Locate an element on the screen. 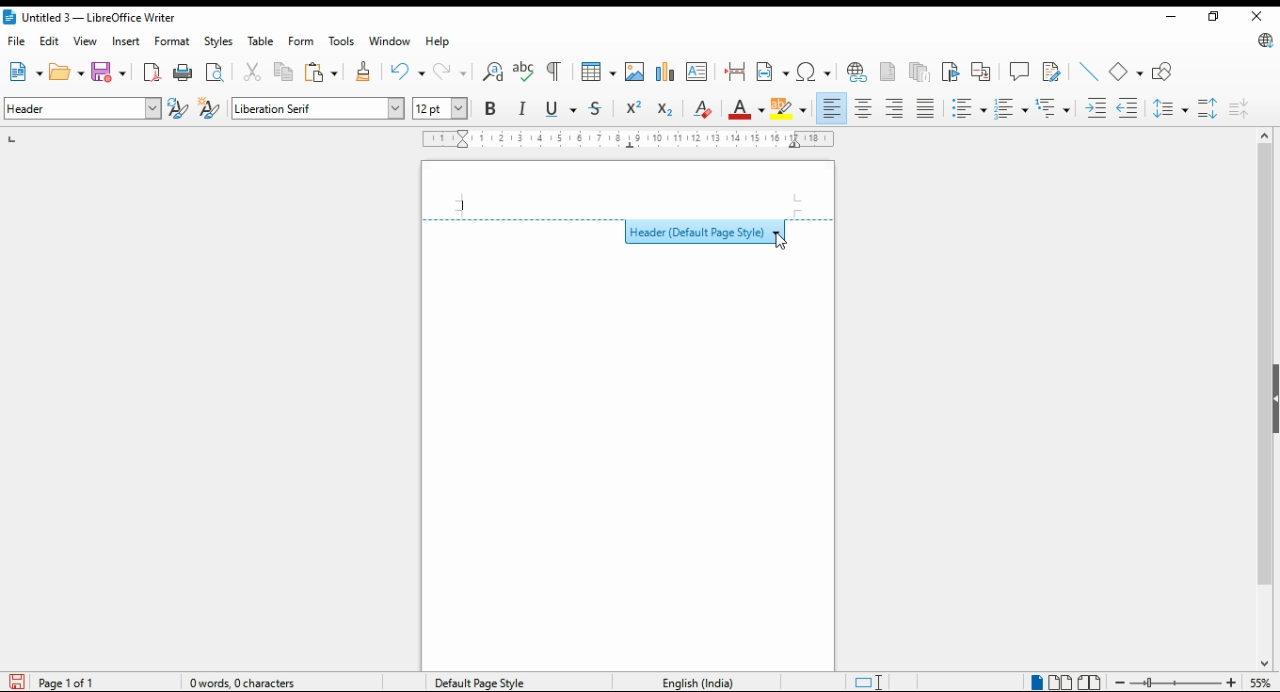 This screenshot has height=692, width=1280. tools is located at coordinates (340, 41).